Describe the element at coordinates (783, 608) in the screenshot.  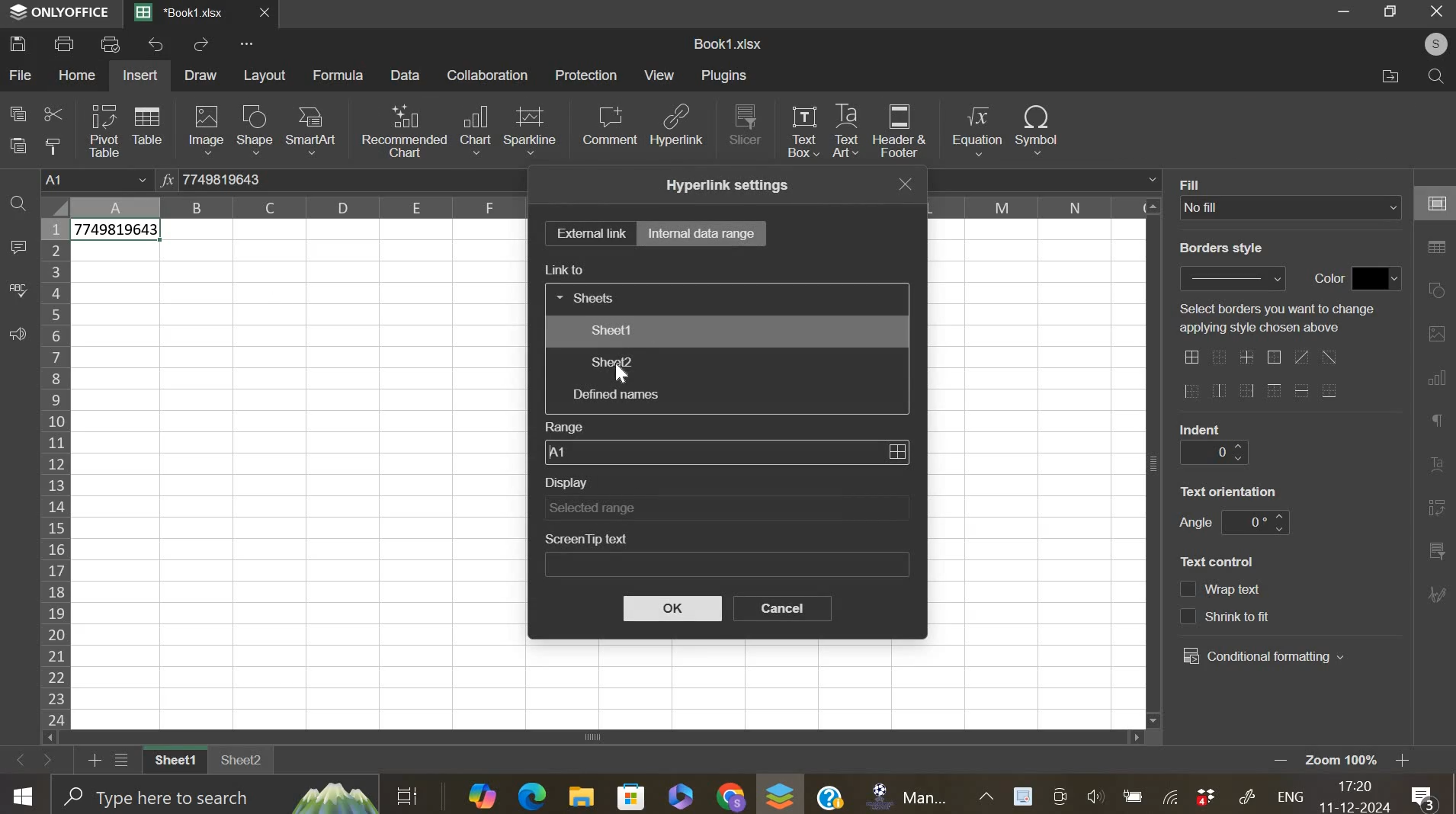
I see `cancel` at that location.